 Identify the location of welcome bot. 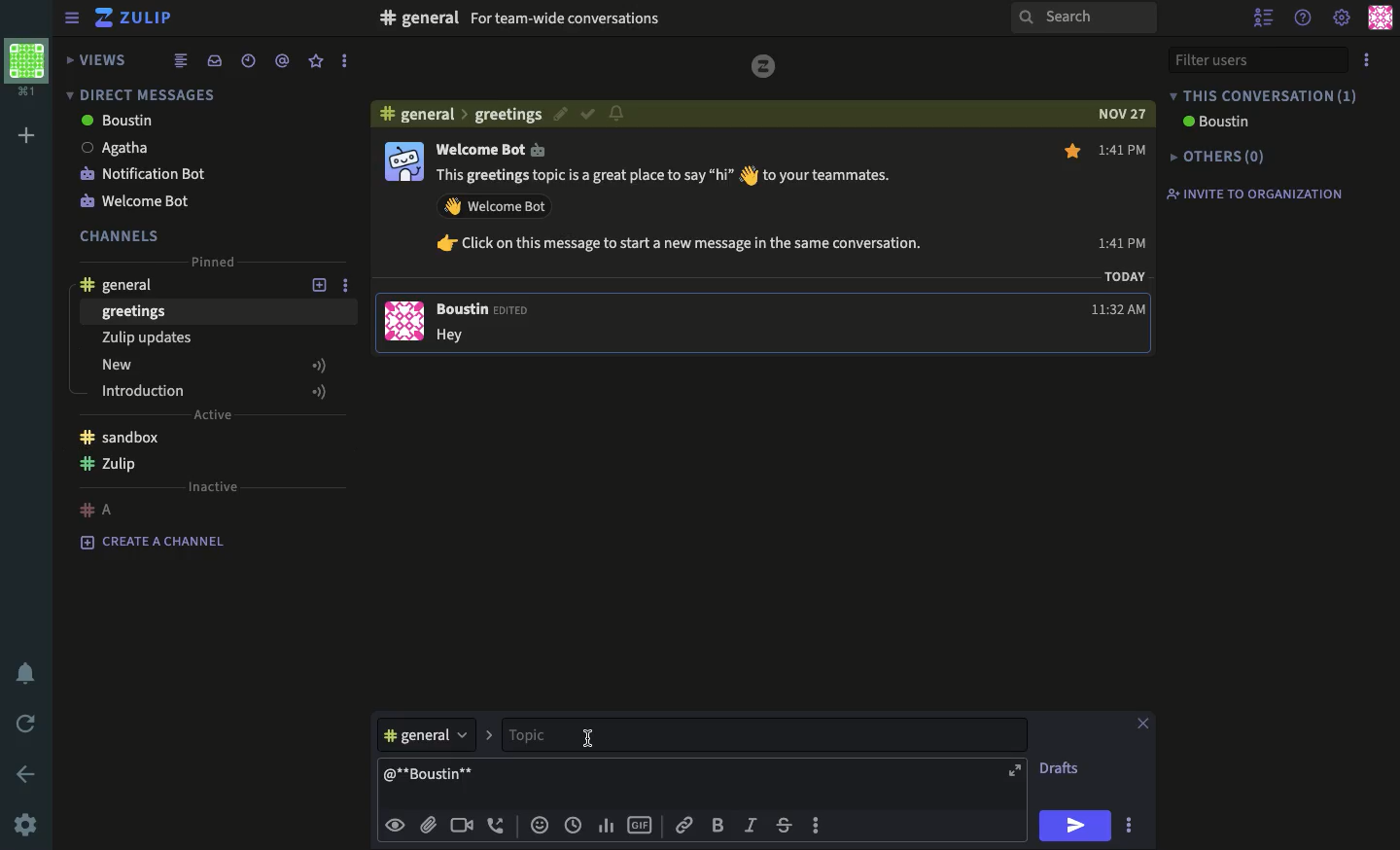
(138, 203).